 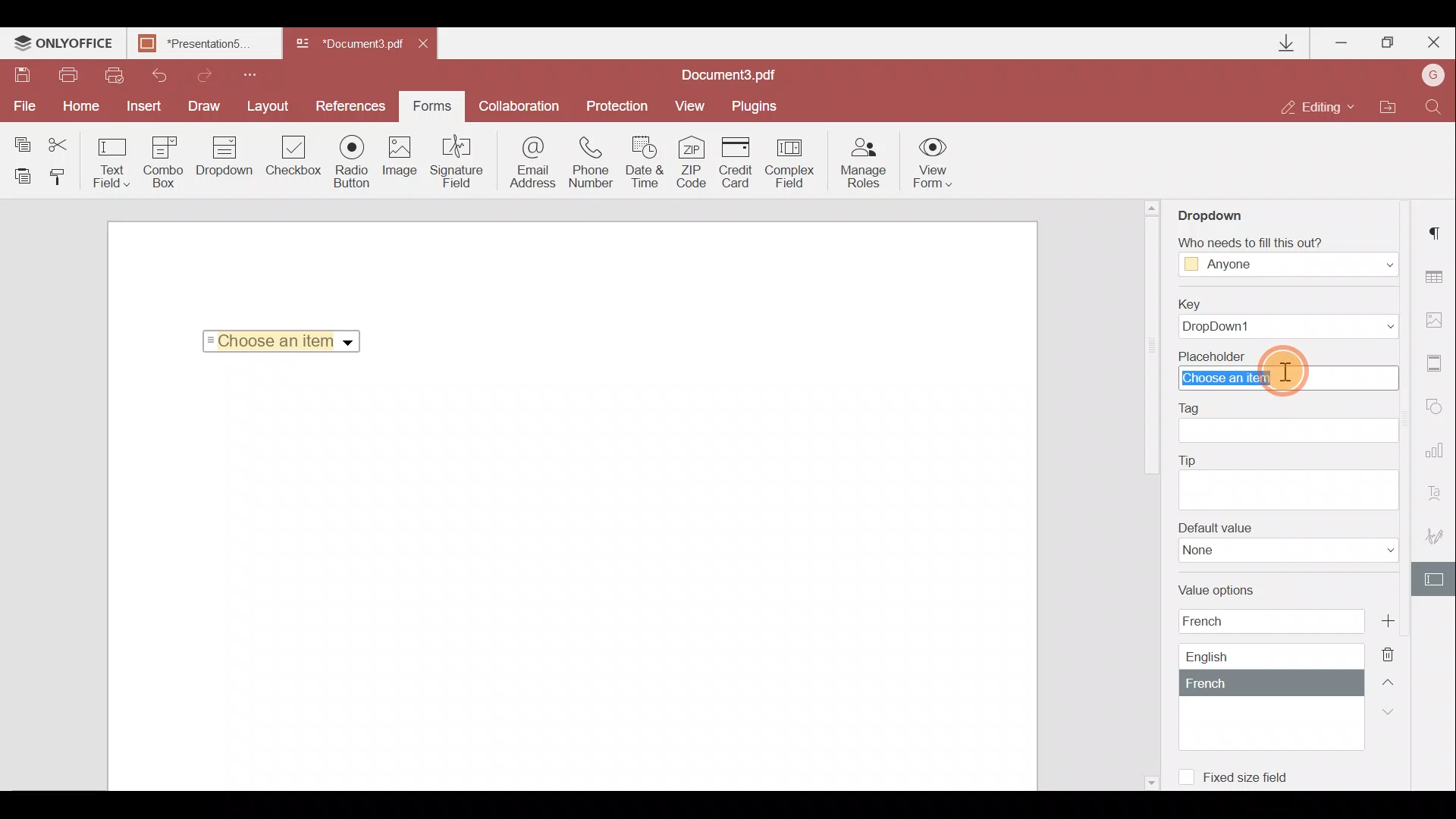 I want to click on Editing mode, so click(x=1318, y=106).